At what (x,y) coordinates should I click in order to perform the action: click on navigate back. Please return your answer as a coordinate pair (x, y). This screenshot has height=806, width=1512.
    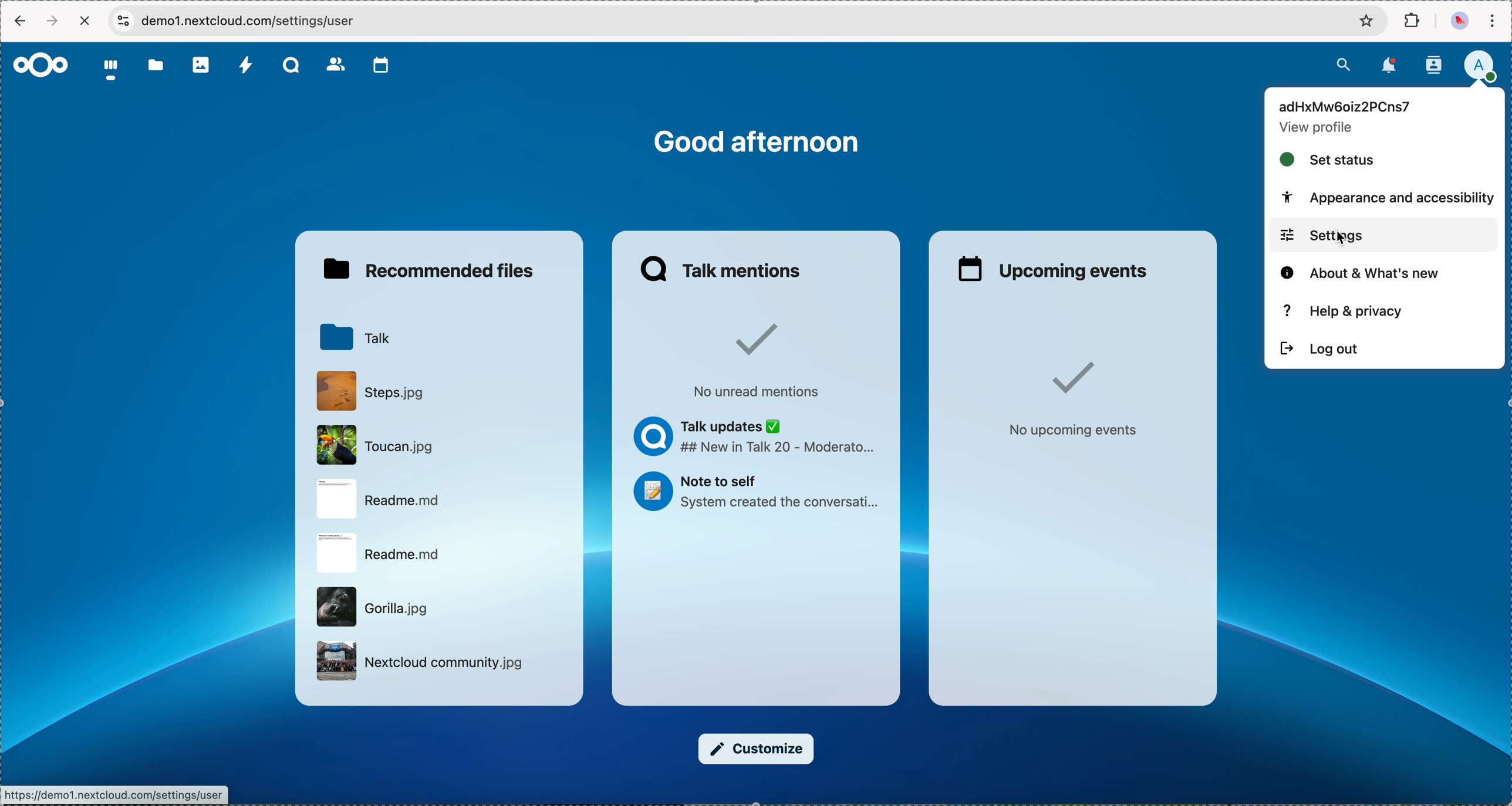
    Looking at the image, I should click on (18, 23).